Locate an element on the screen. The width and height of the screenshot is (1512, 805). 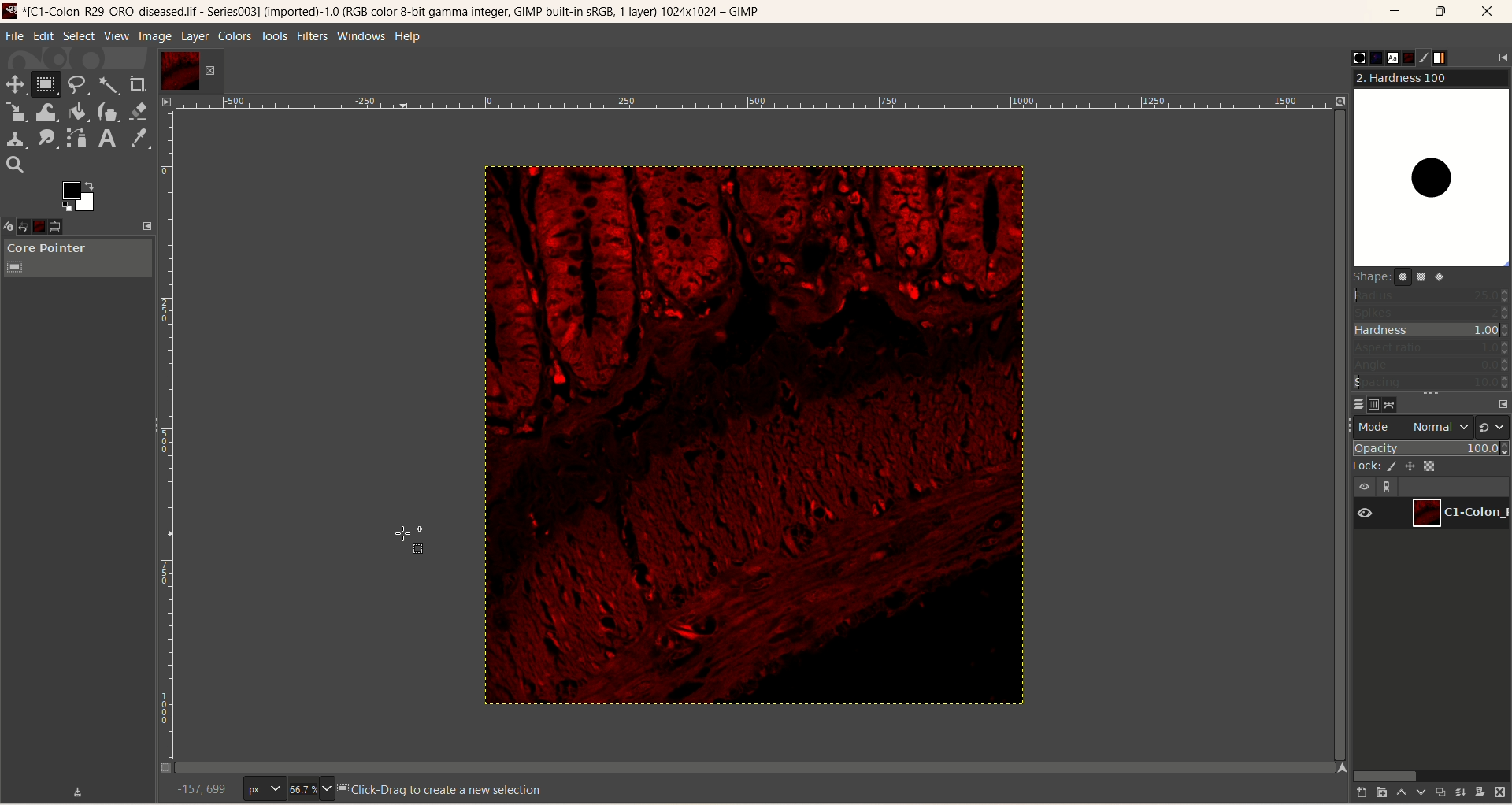
crop tool is located at coordinates (139, 84).